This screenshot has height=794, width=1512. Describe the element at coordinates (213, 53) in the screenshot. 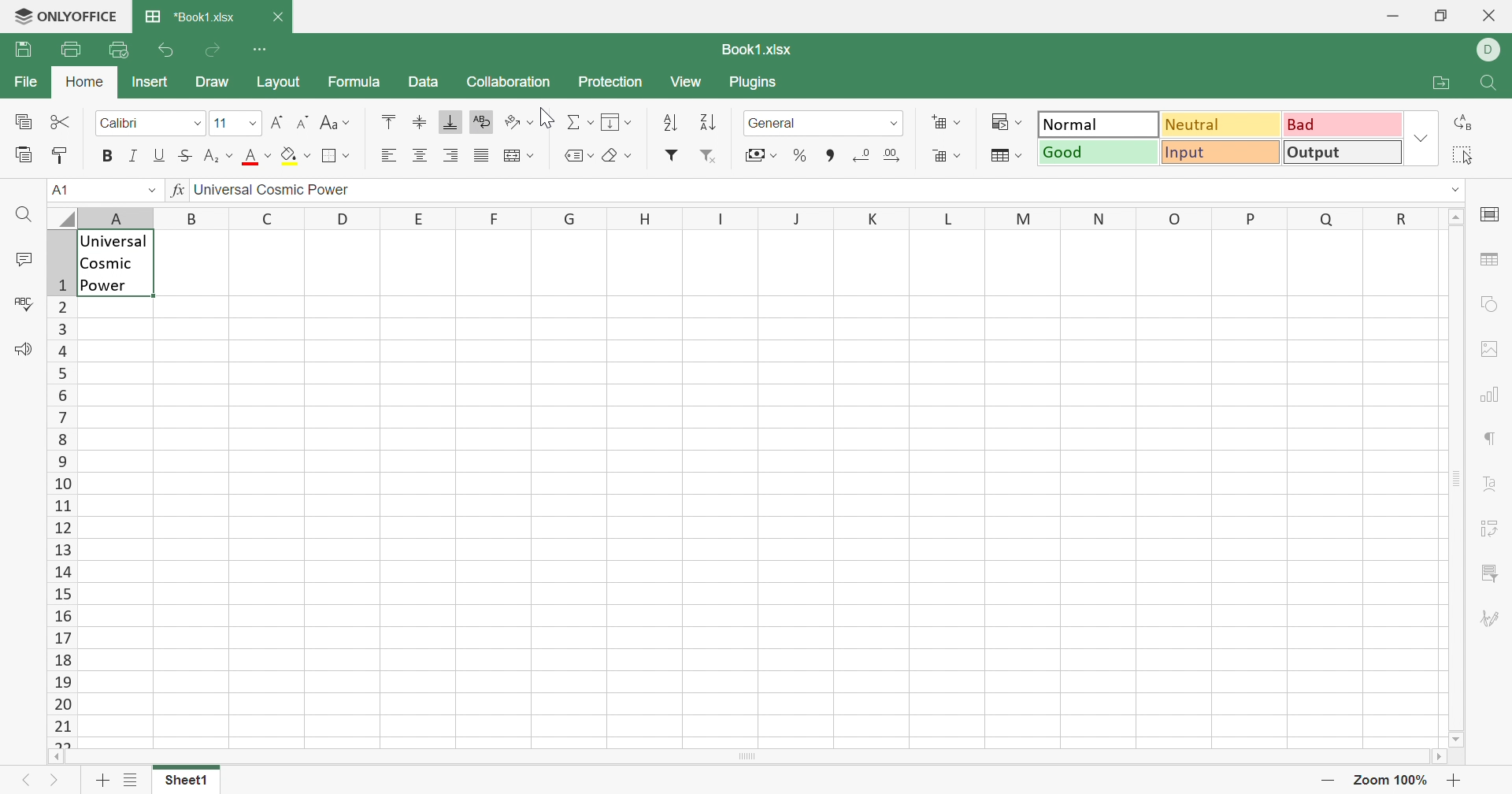

I see `Redo` at that location.